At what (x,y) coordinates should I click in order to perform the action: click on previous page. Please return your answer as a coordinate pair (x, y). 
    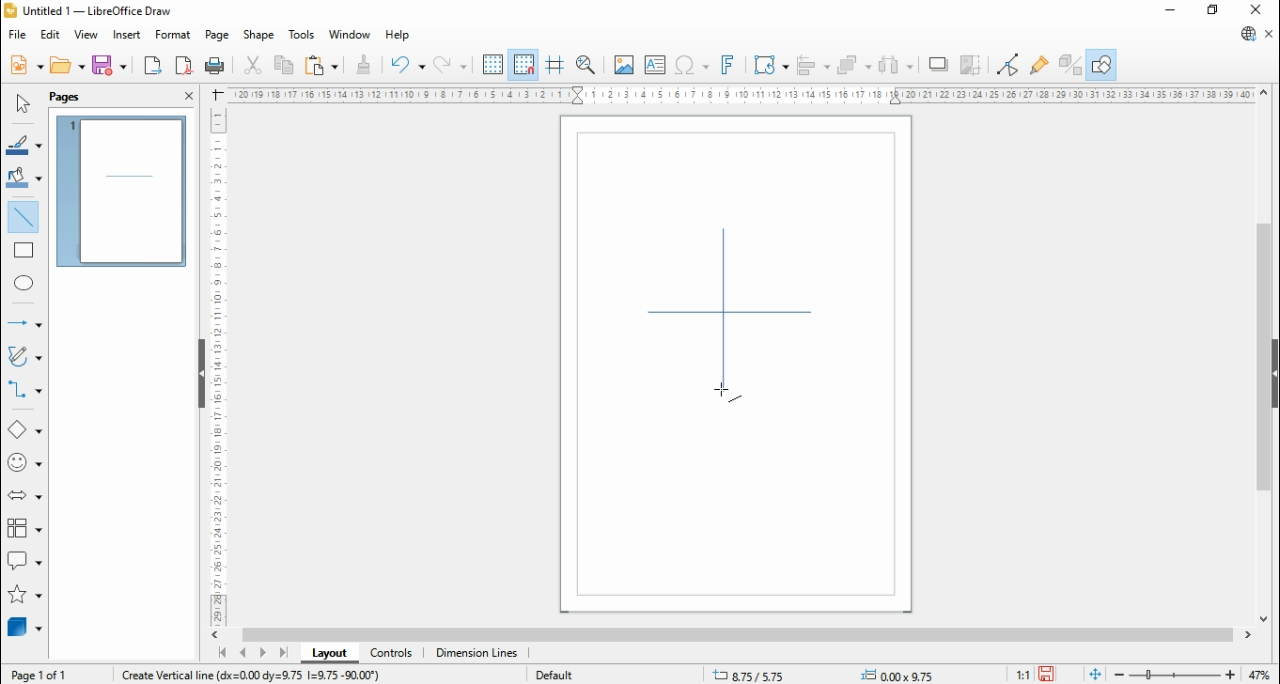
    Looking at the image, I should click on (242, 653).